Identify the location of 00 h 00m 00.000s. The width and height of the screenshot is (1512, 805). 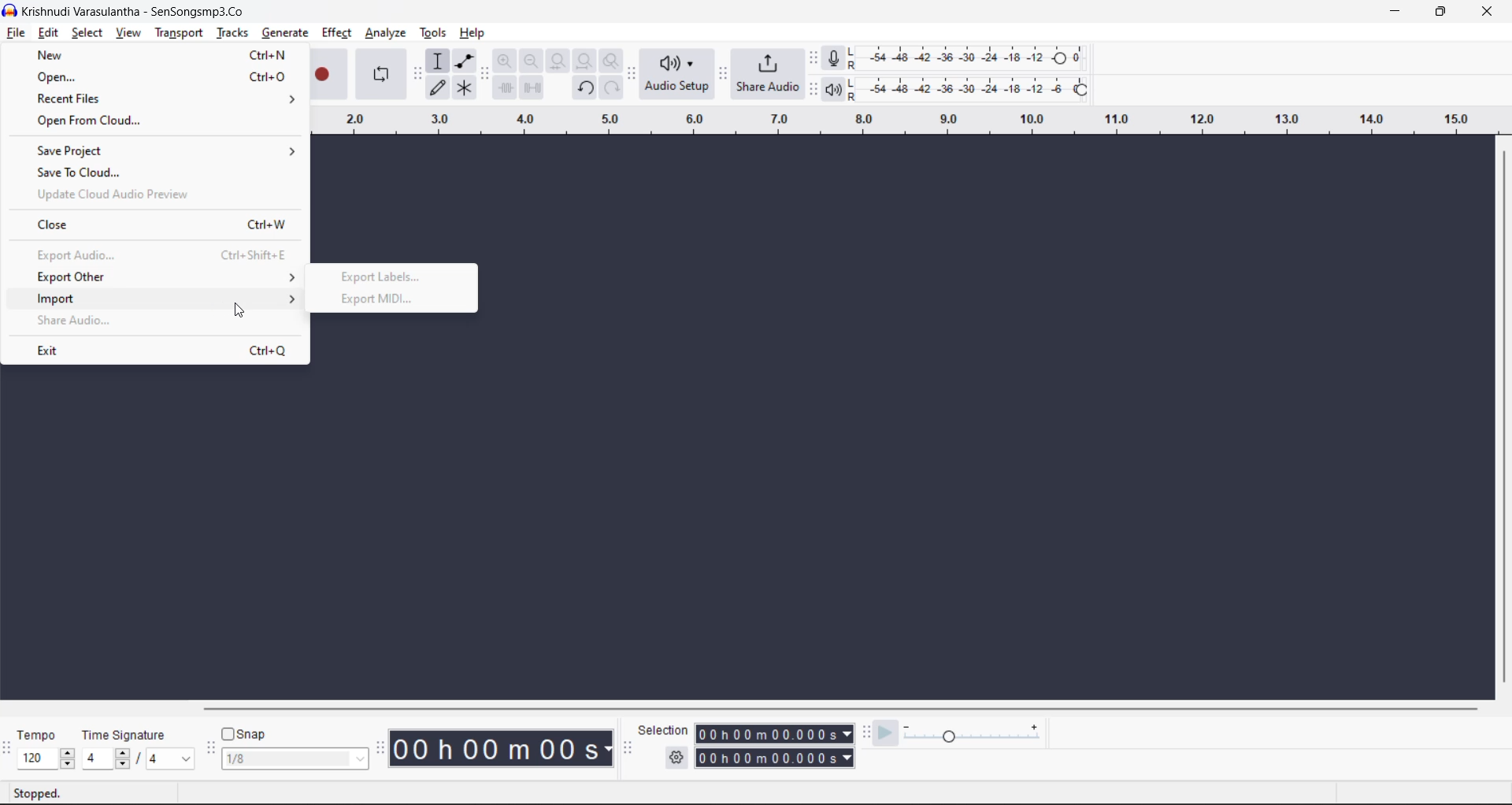
(774, 734).